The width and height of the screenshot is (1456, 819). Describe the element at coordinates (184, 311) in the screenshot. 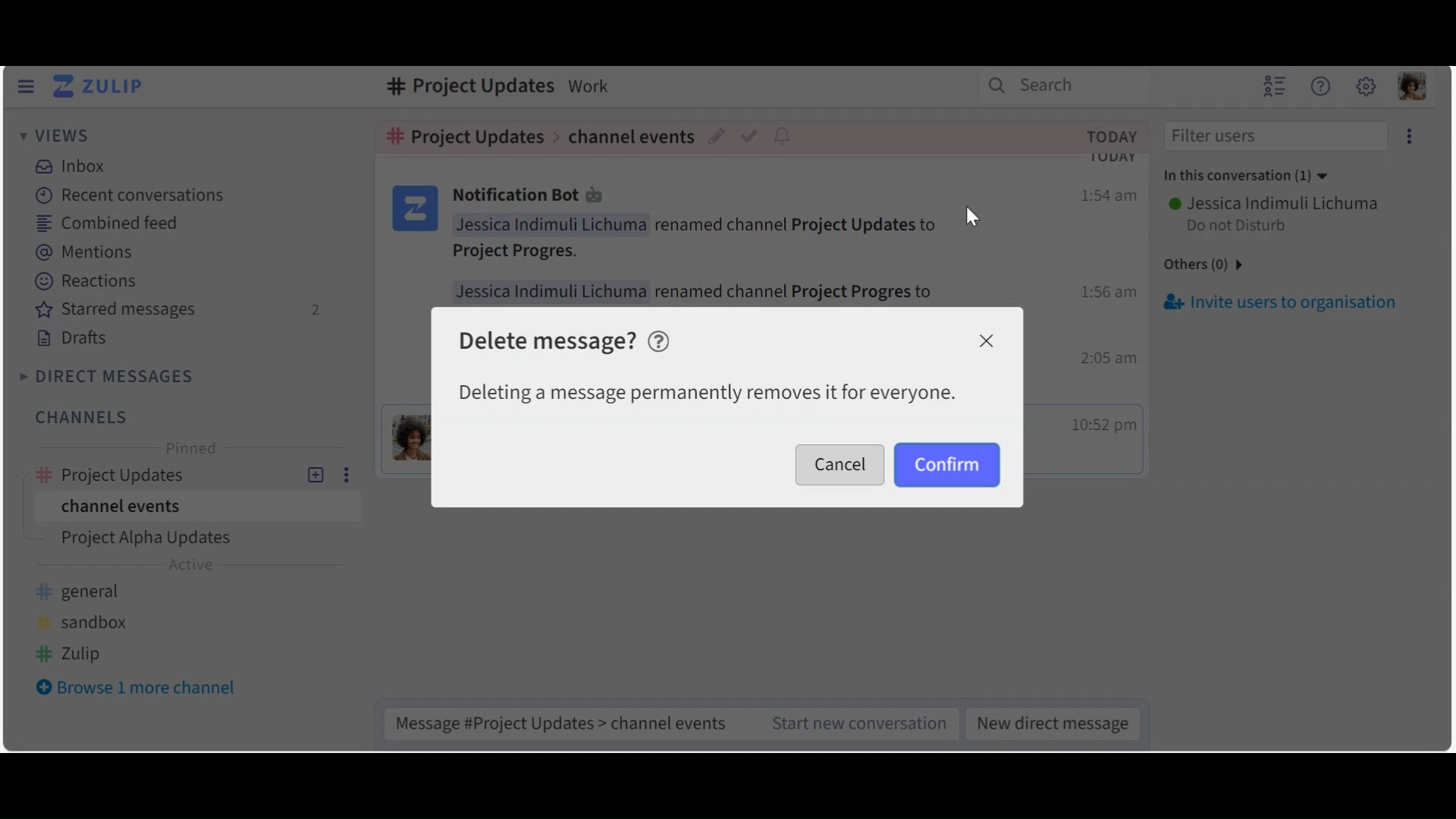

I see `Starred messages` at that location.